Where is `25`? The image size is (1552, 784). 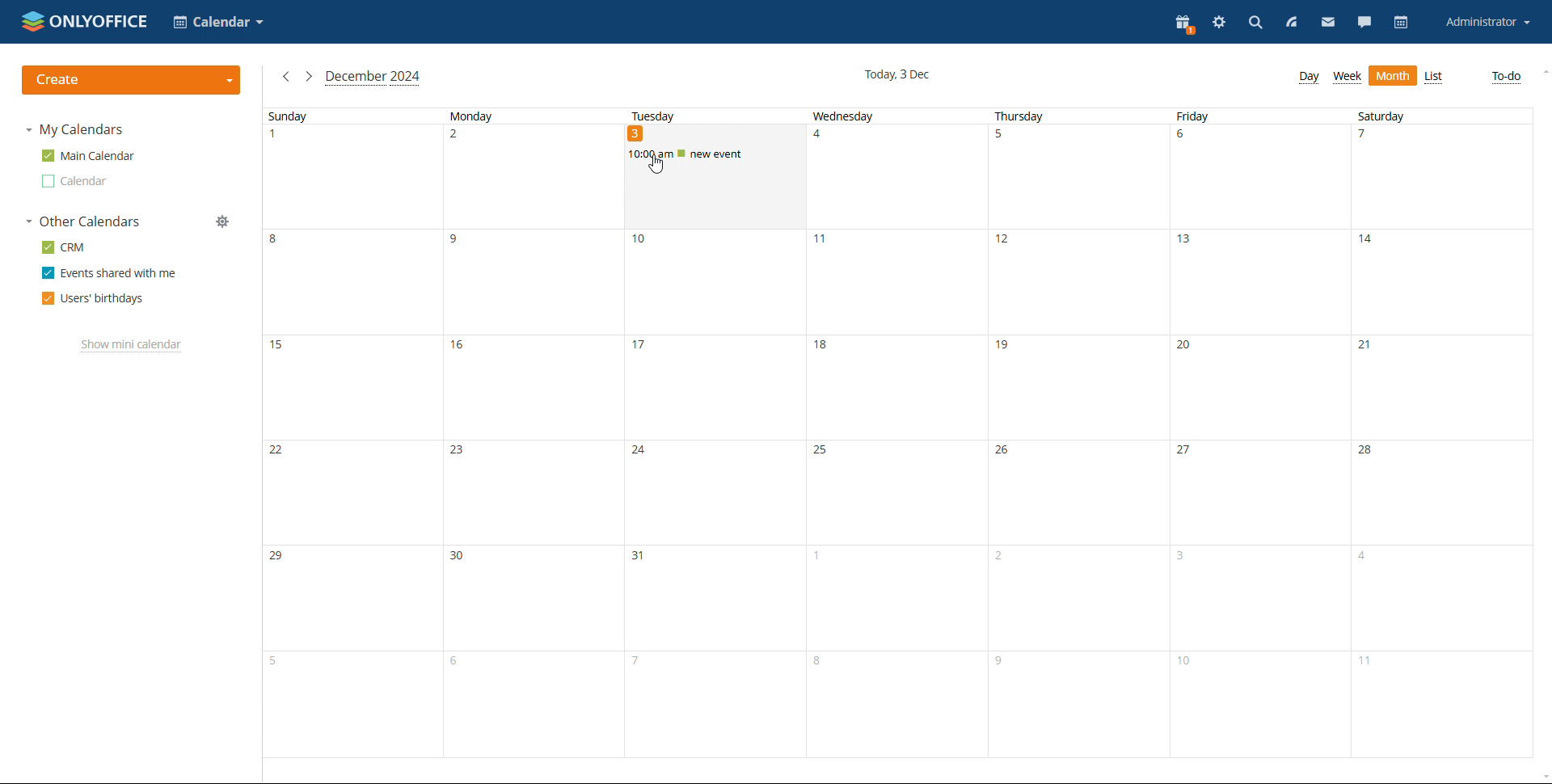
25 is located at coordinates (895, 493).